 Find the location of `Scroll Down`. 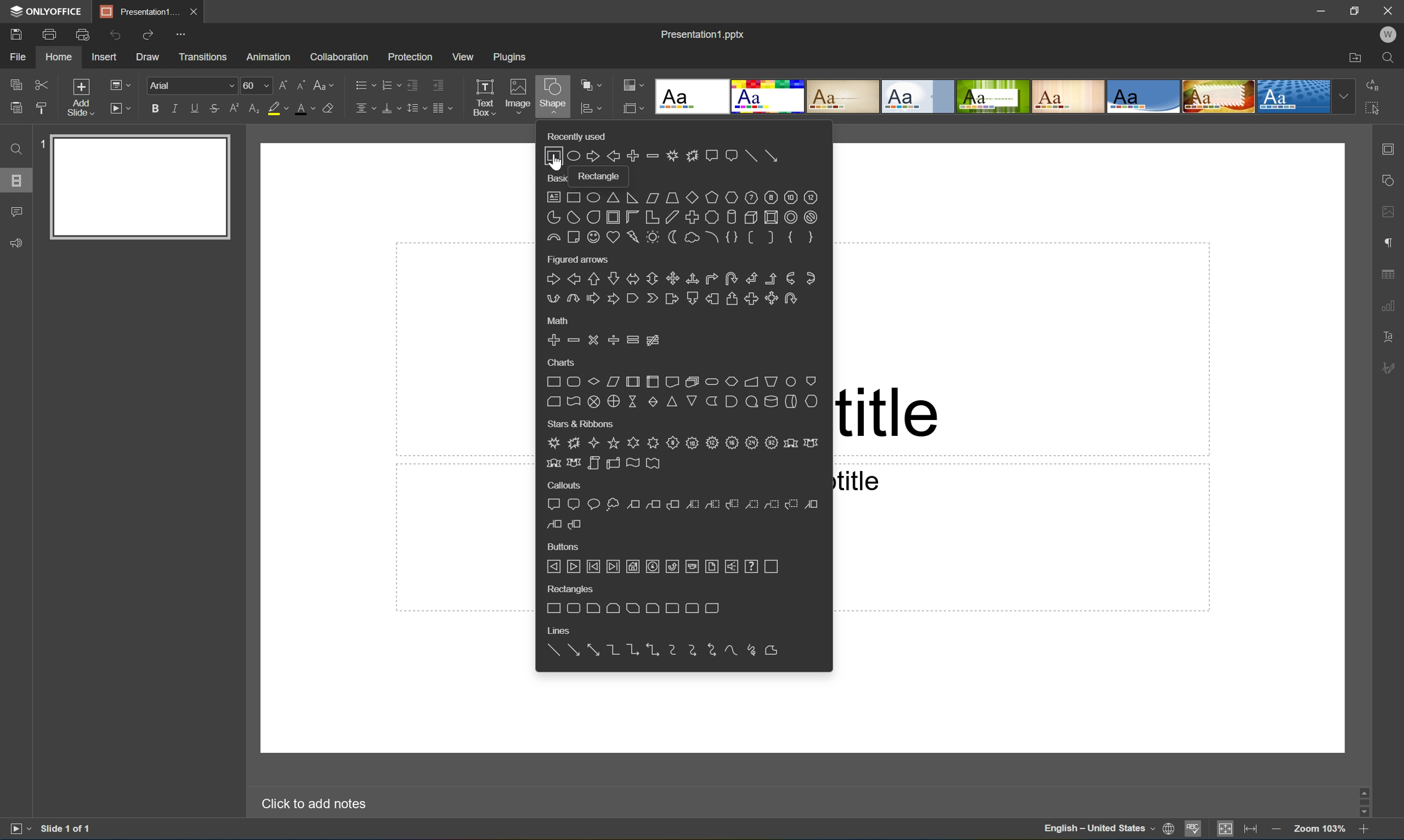

Scroll Down is located at coordinates (1361, 816).